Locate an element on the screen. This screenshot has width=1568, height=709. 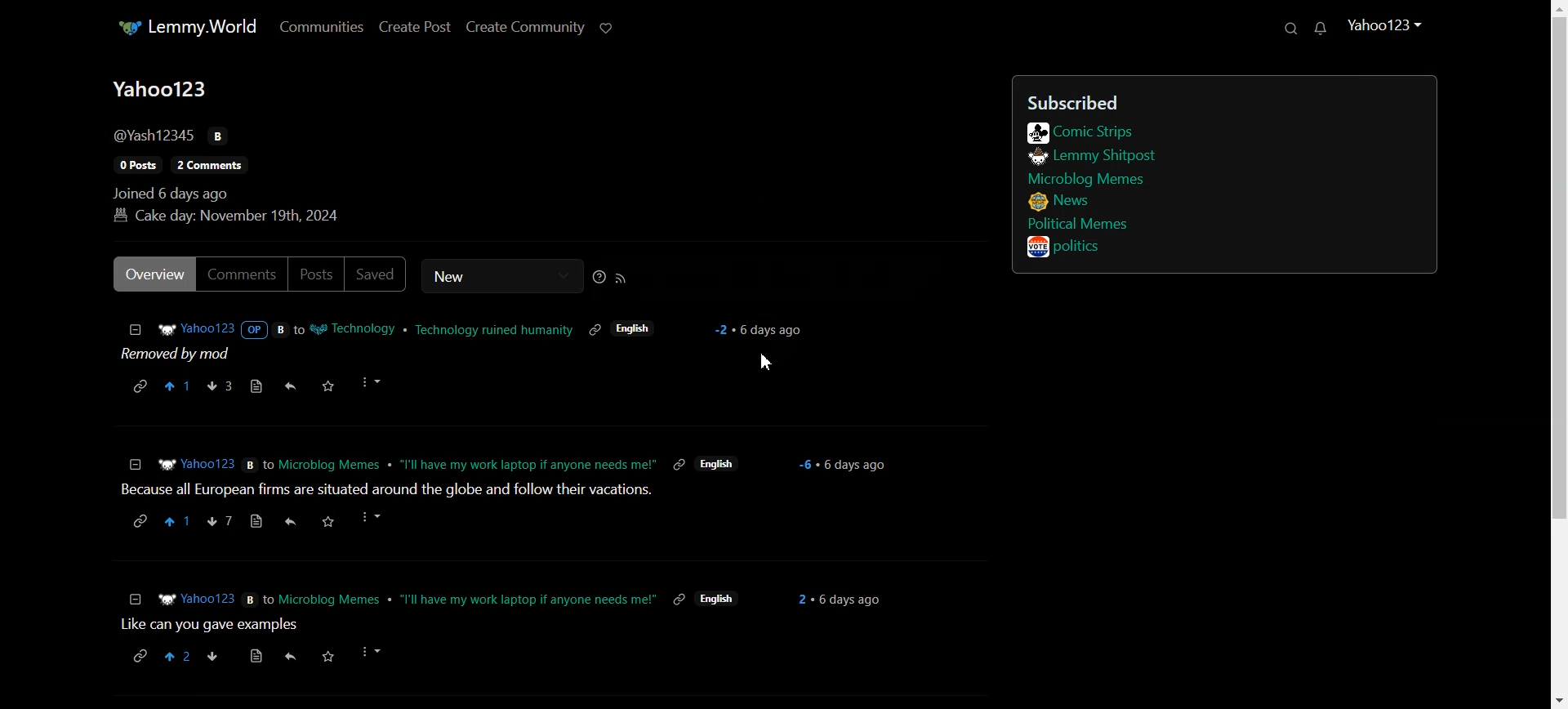
Save is located at coordinates (329, 386).